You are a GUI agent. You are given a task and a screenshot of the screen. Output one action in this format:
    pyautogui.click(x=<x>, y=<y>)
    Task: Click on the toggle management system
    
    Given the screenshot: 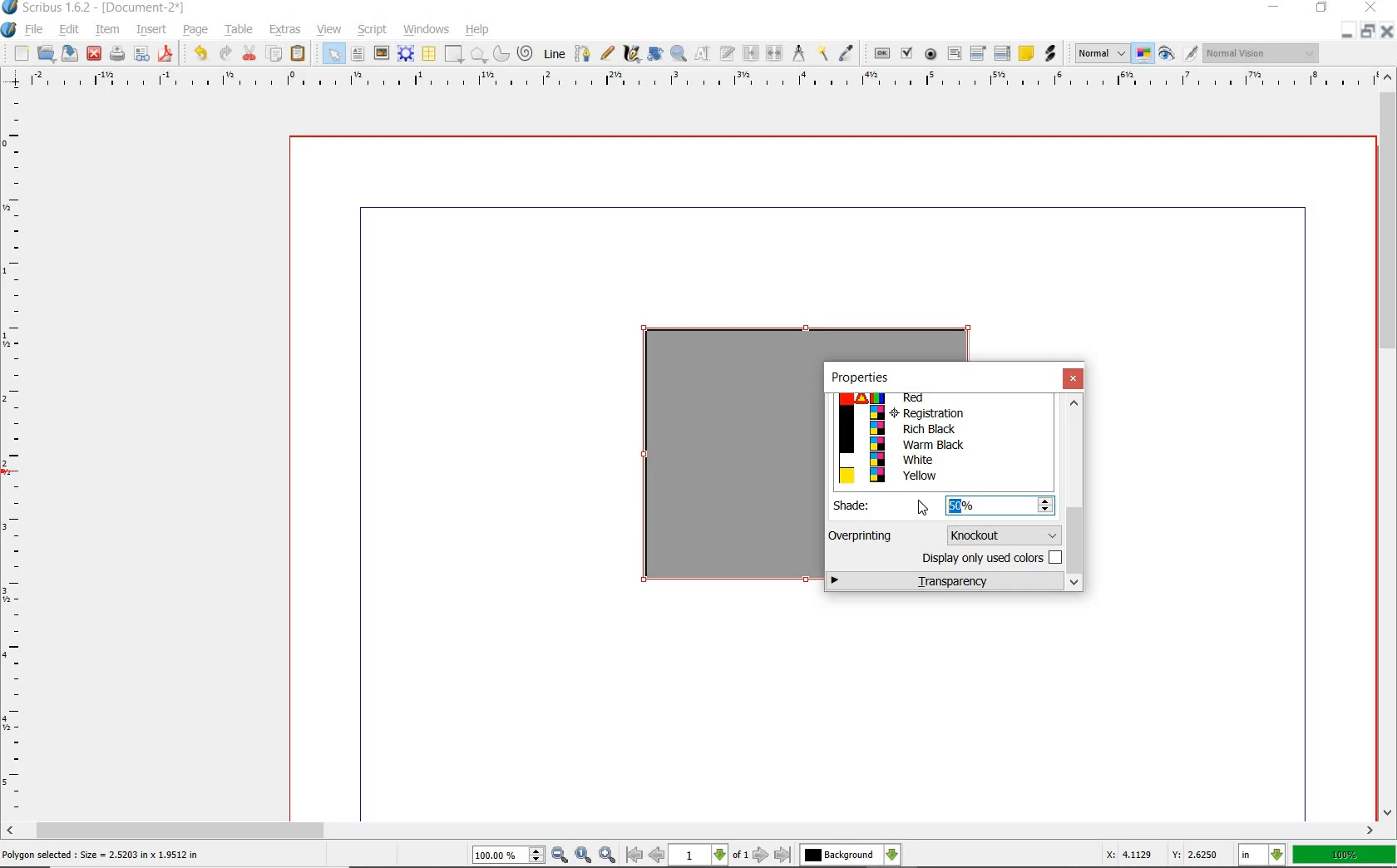 What is the action you would take?
    pyautogui.click(x=1143, y=55)
    